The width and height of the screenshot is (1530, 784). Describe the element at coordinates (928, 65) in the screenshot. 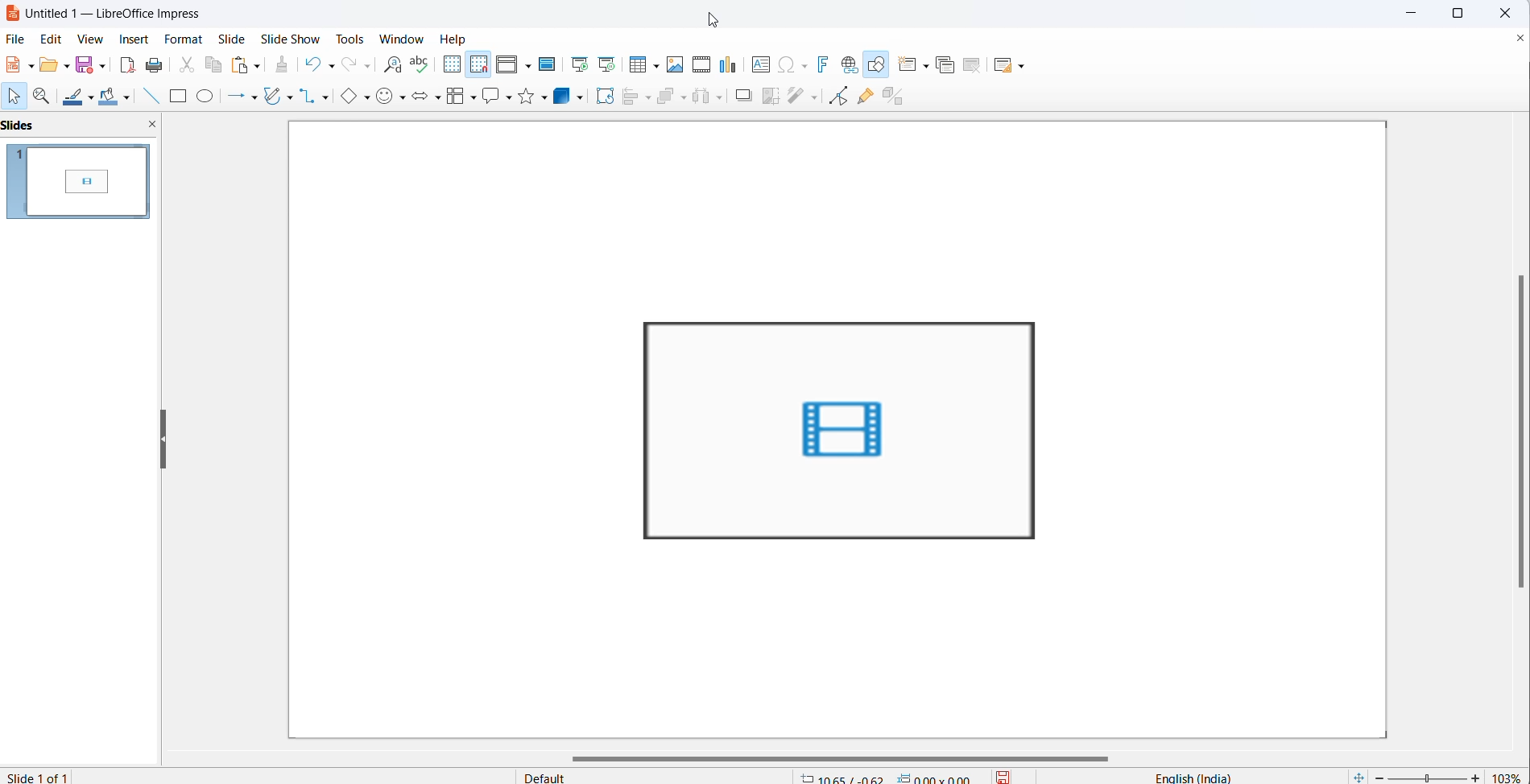

I see `new slide options` at that location.